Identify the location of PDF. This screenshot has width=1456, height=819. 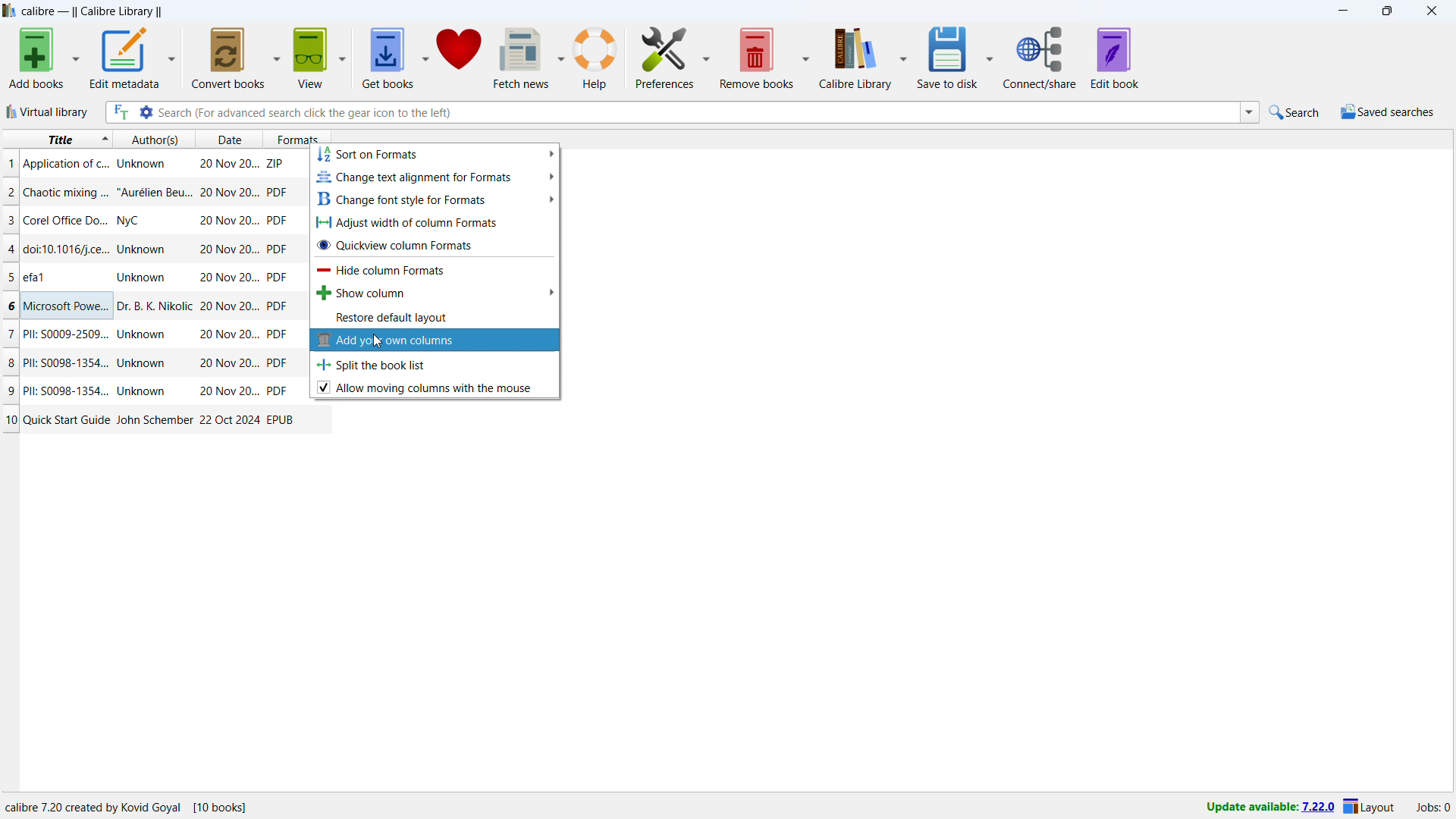
(278, 221).